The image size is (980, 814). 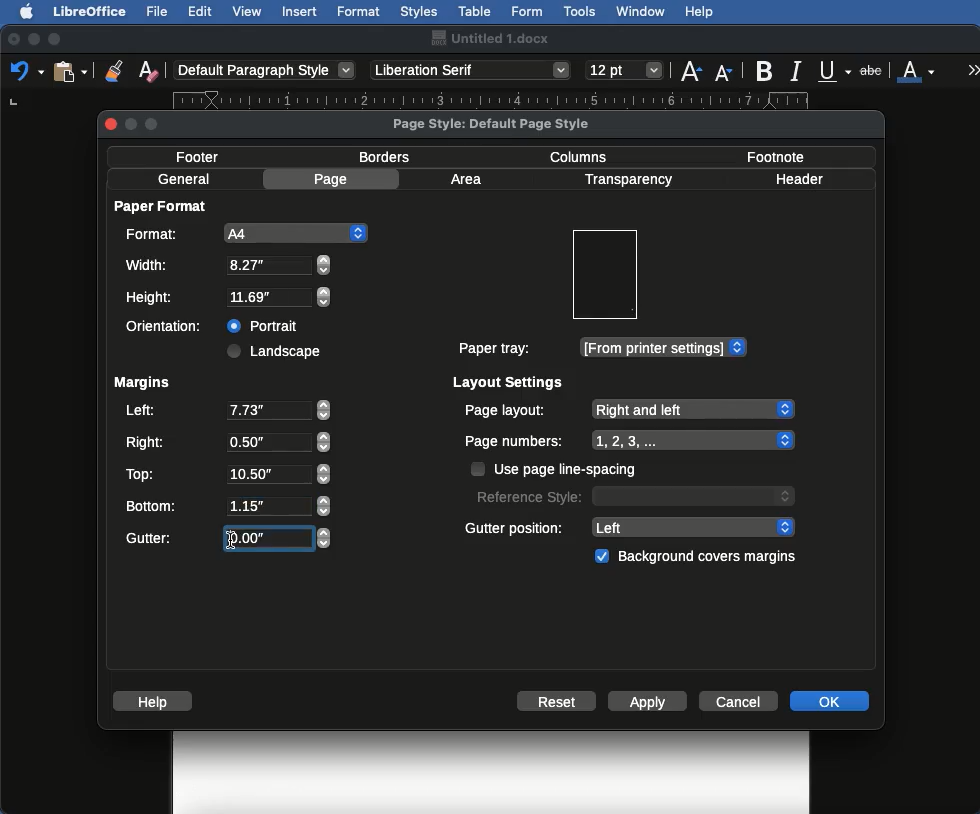 What do you see at coordinates (508, 100) in the screenshot?
I see `Ruler` at bounding box center [508, 100].